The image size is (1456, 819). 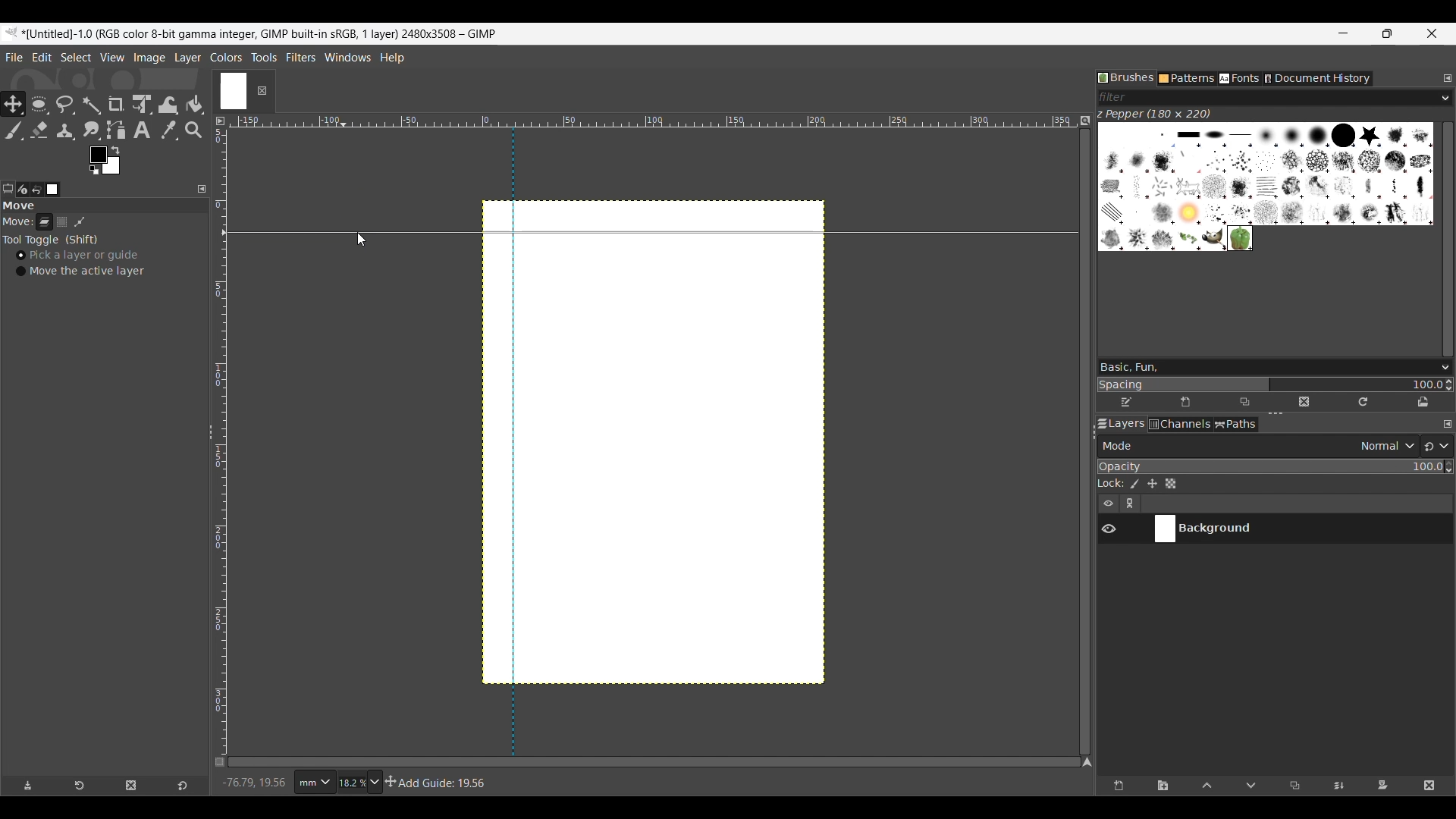 What do you see at coordinates (648, 120) in the screenshot?
I see `Horizontal euler` at bounding box center [648, 120].